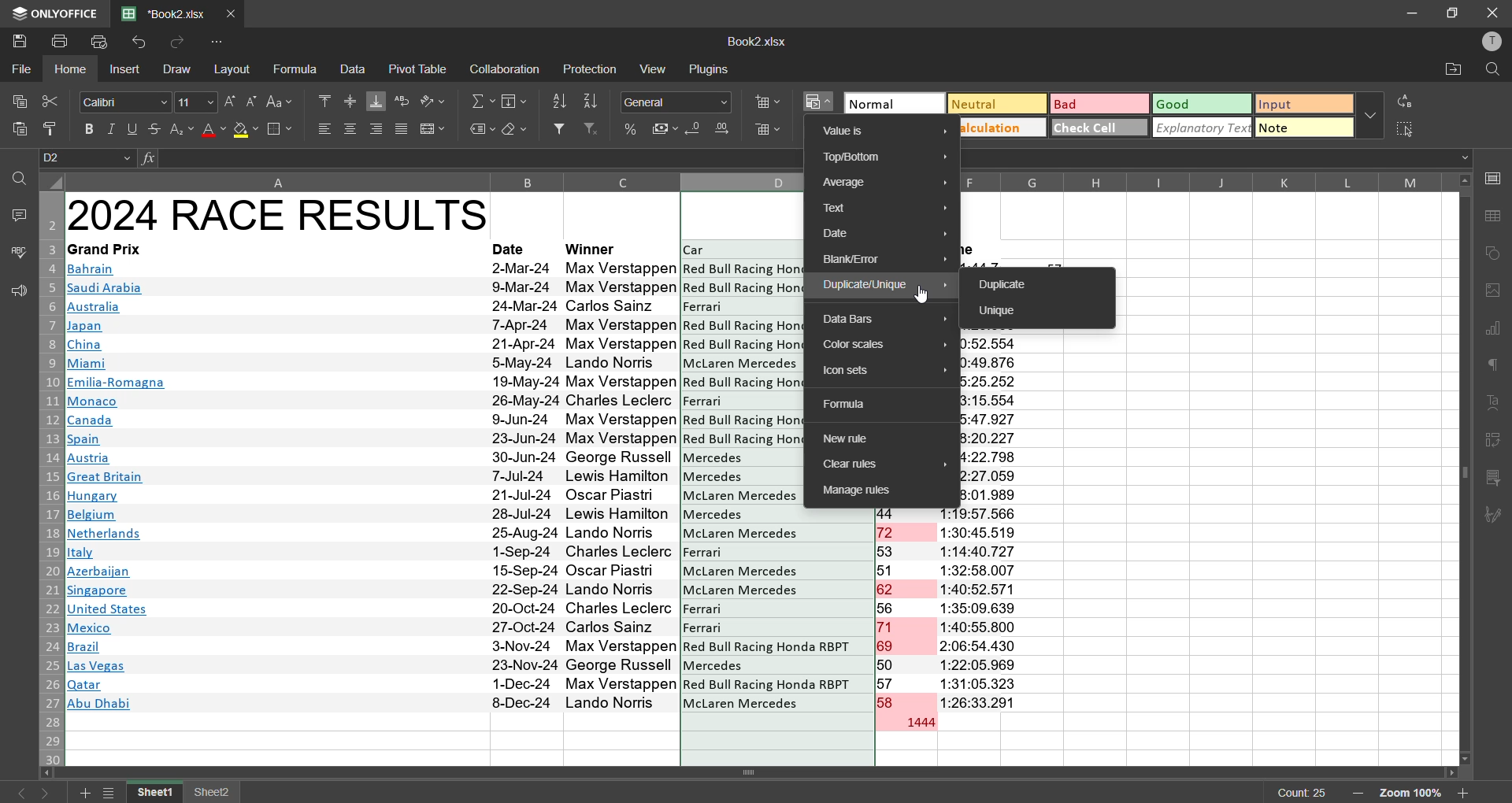 Image resolution: width=1512 pixels, height=803 pixels. Describe the element at coordinates (724, 128) in the screenshot. I see `increase decimal` at that location.